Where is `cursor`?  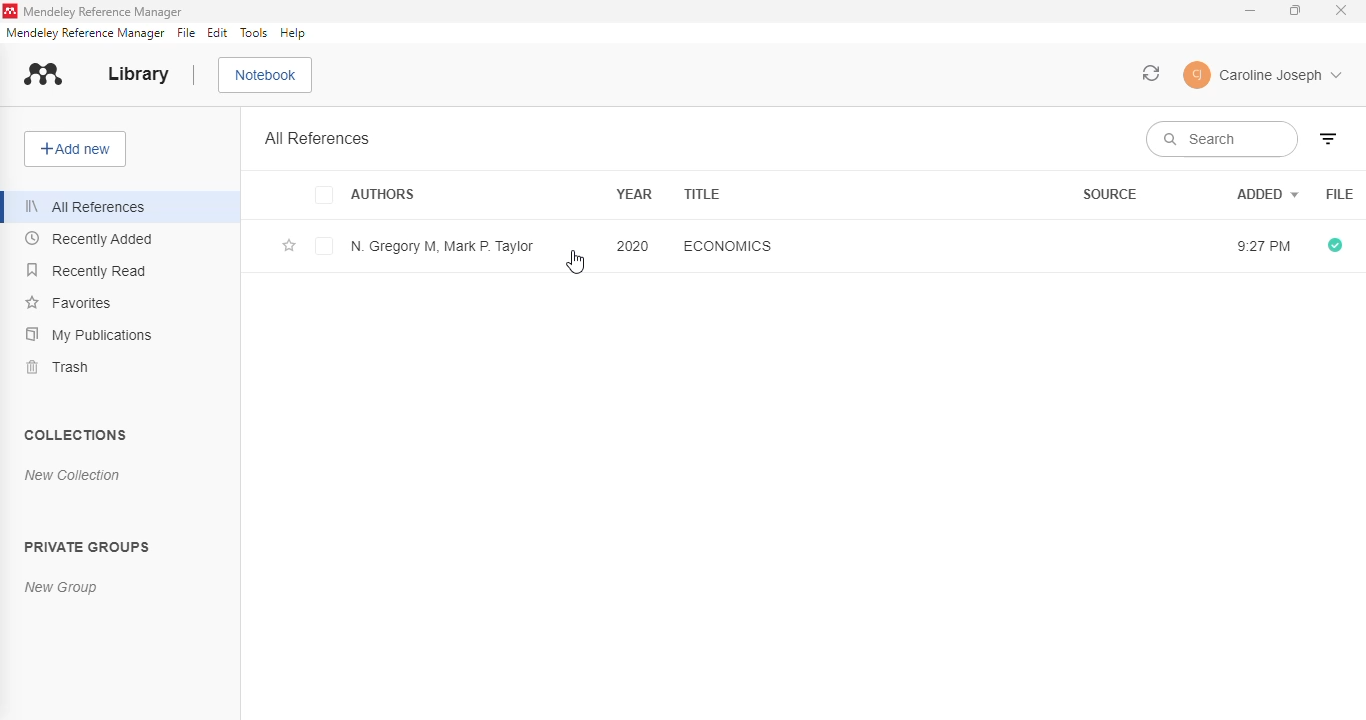
cursor is located at coordinates (575, 262).